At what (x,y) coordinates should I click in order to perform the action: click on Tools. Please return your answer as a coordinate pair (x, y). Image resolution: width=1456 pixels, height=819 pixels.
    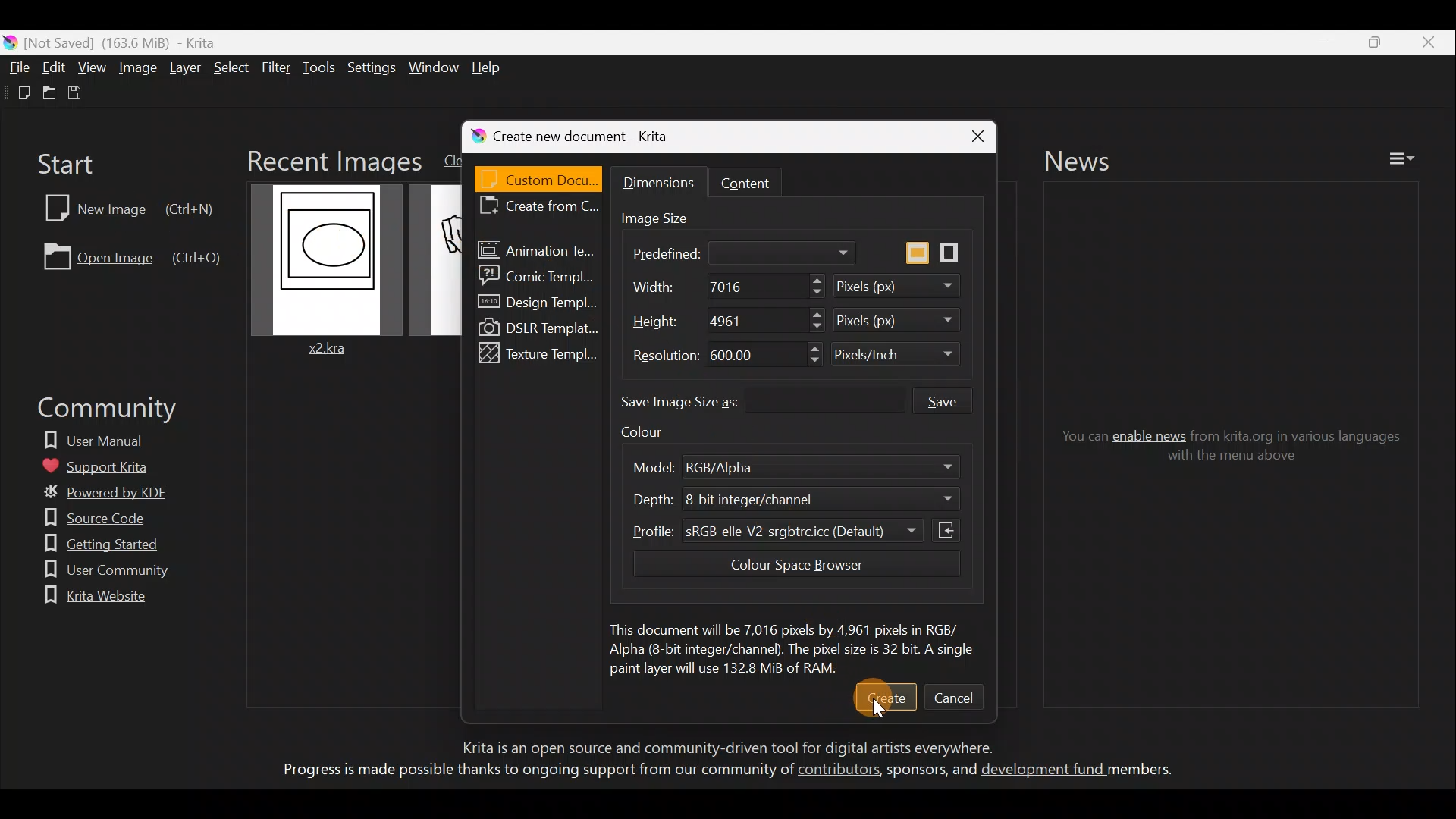
    Looking at the image, I should click on (322, 68).